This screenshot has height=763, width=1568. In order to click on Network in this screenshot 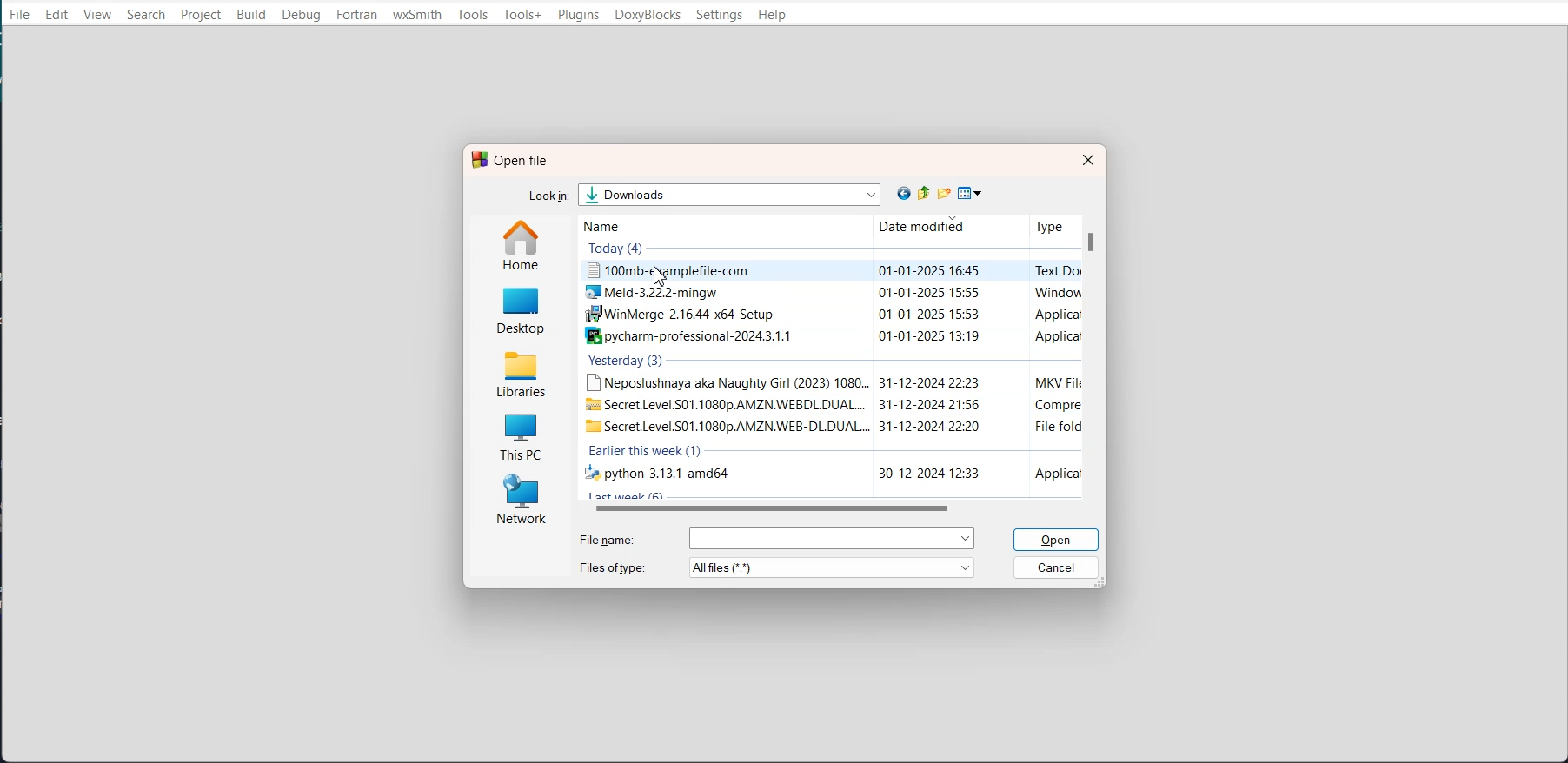, I will do `click(519, 500)`.